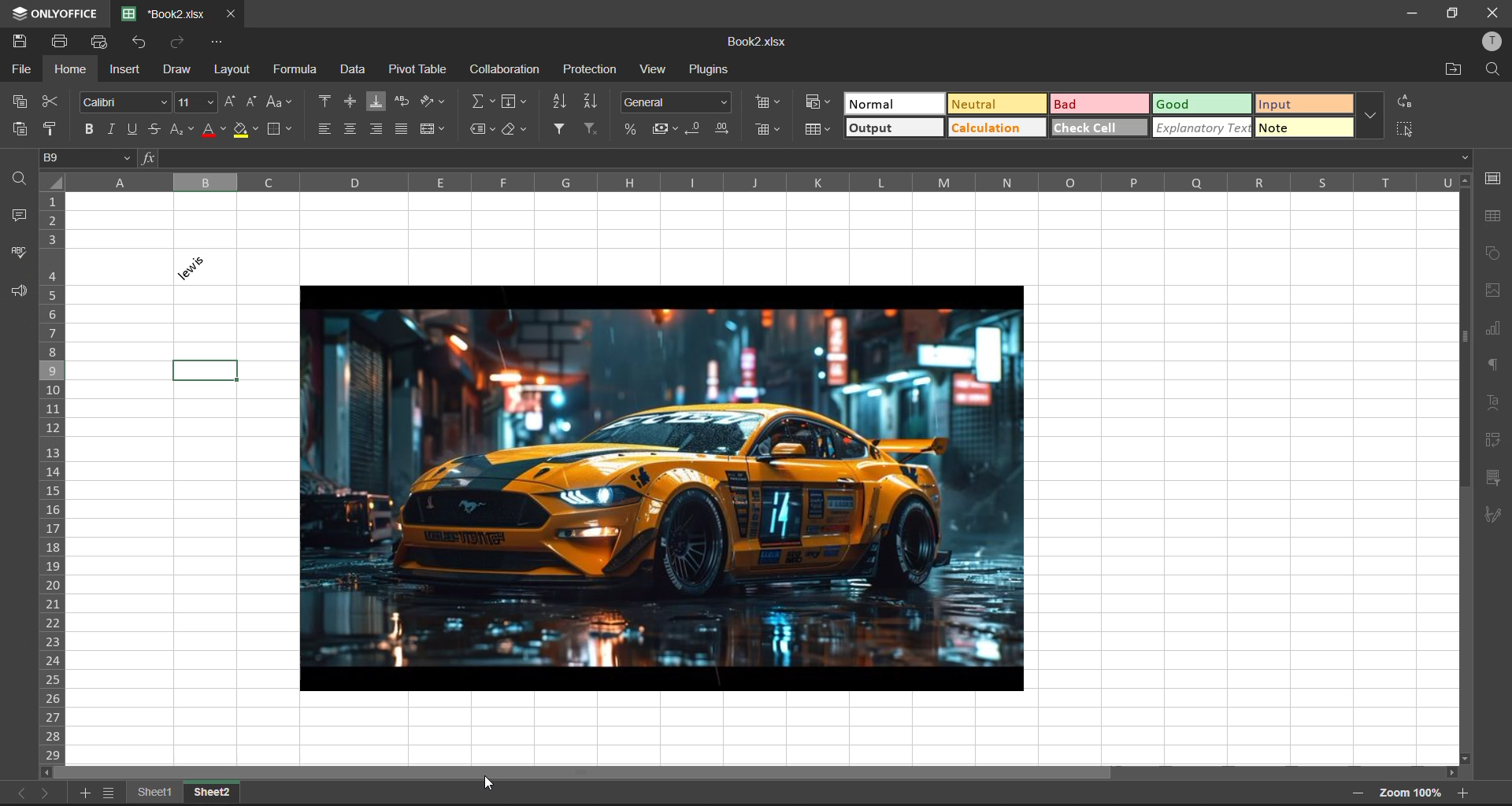 Image resolution: width=1512 pixels, height=806 pixels. What do you see at coordinates (1488, 43) in the screenshot?
I see `profile` at bounding box center [1488, 43].